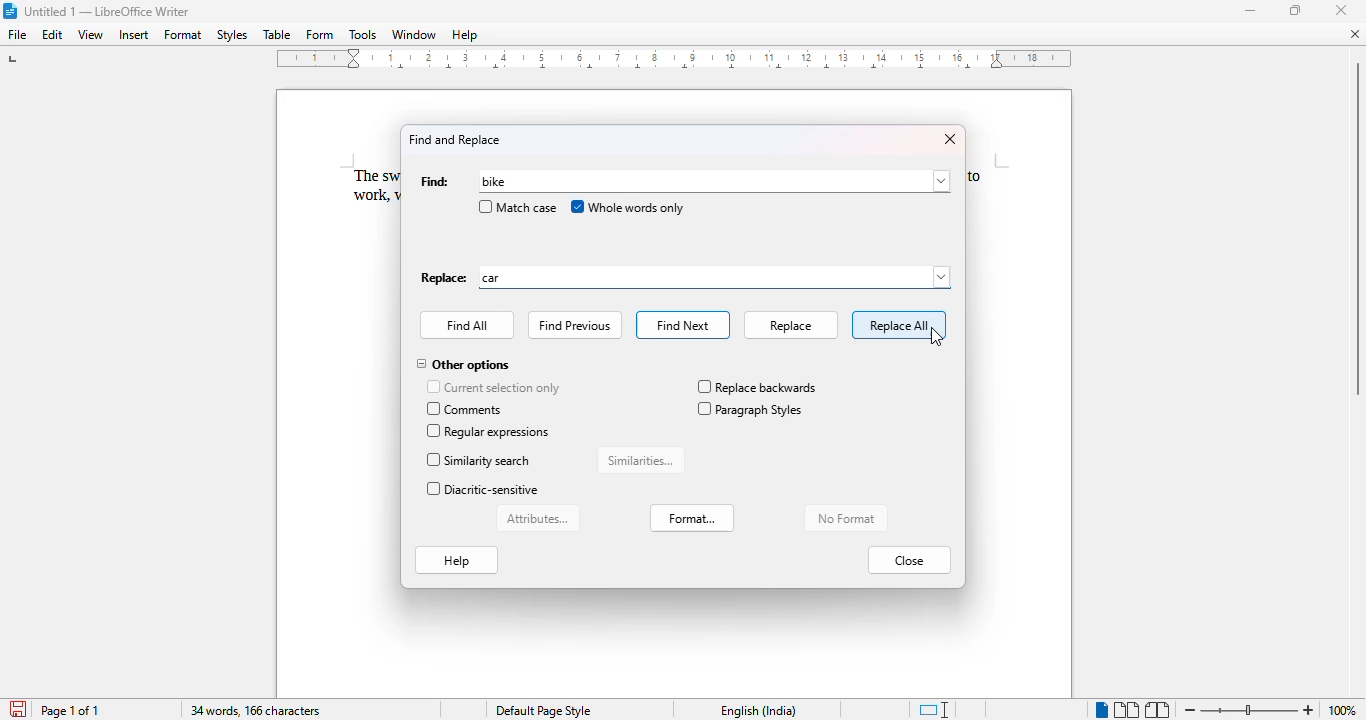 The height and width of the screenshot is (720, 1366). Describe the element at coordinates (255, 711) in the screenshot. I see `34 words, 166 characters` at that location.